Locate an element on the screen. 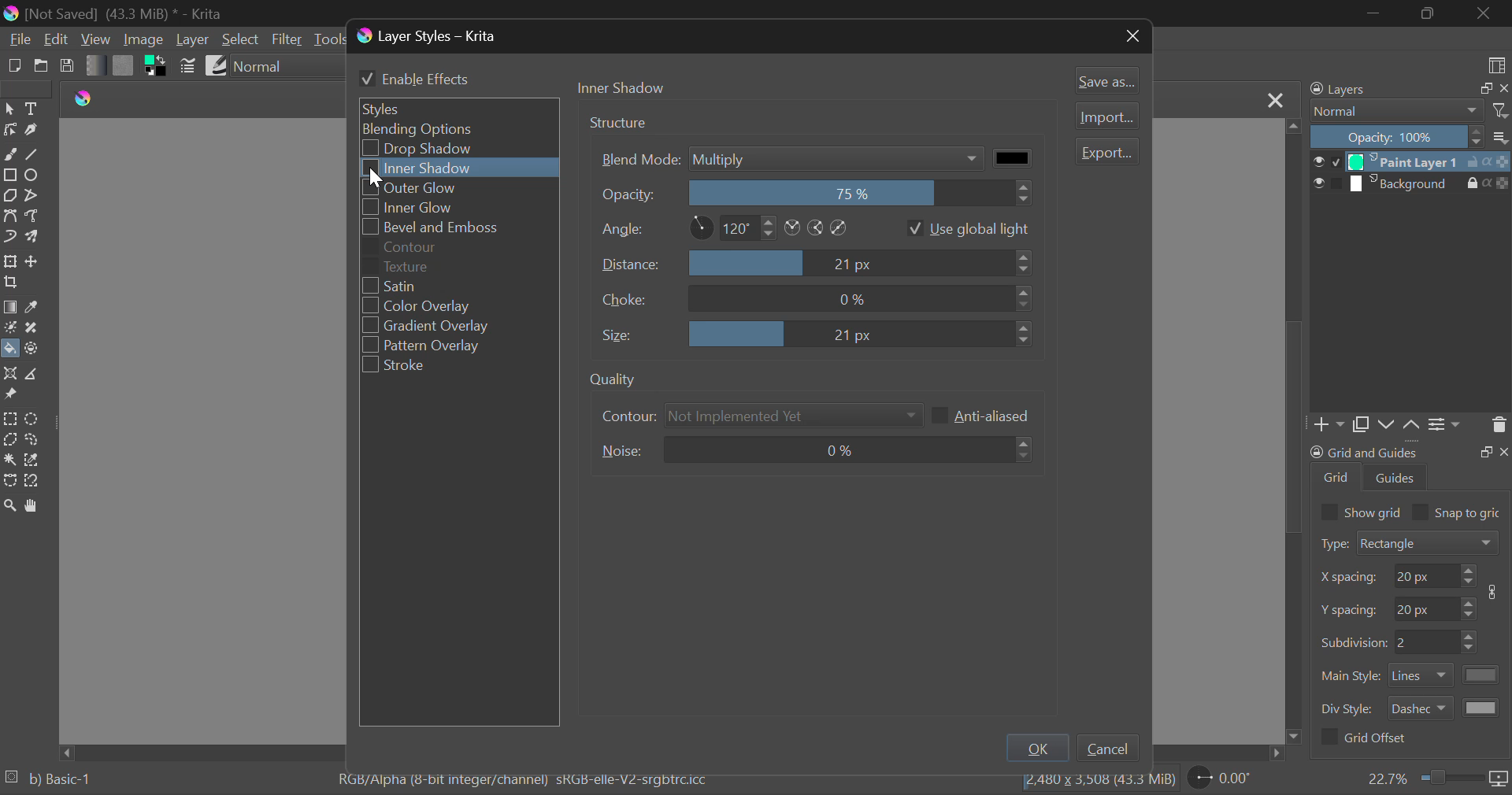 The height and width of the screenshot is (795, 1512). Delete Layer is located at coordinates (1498, 428).